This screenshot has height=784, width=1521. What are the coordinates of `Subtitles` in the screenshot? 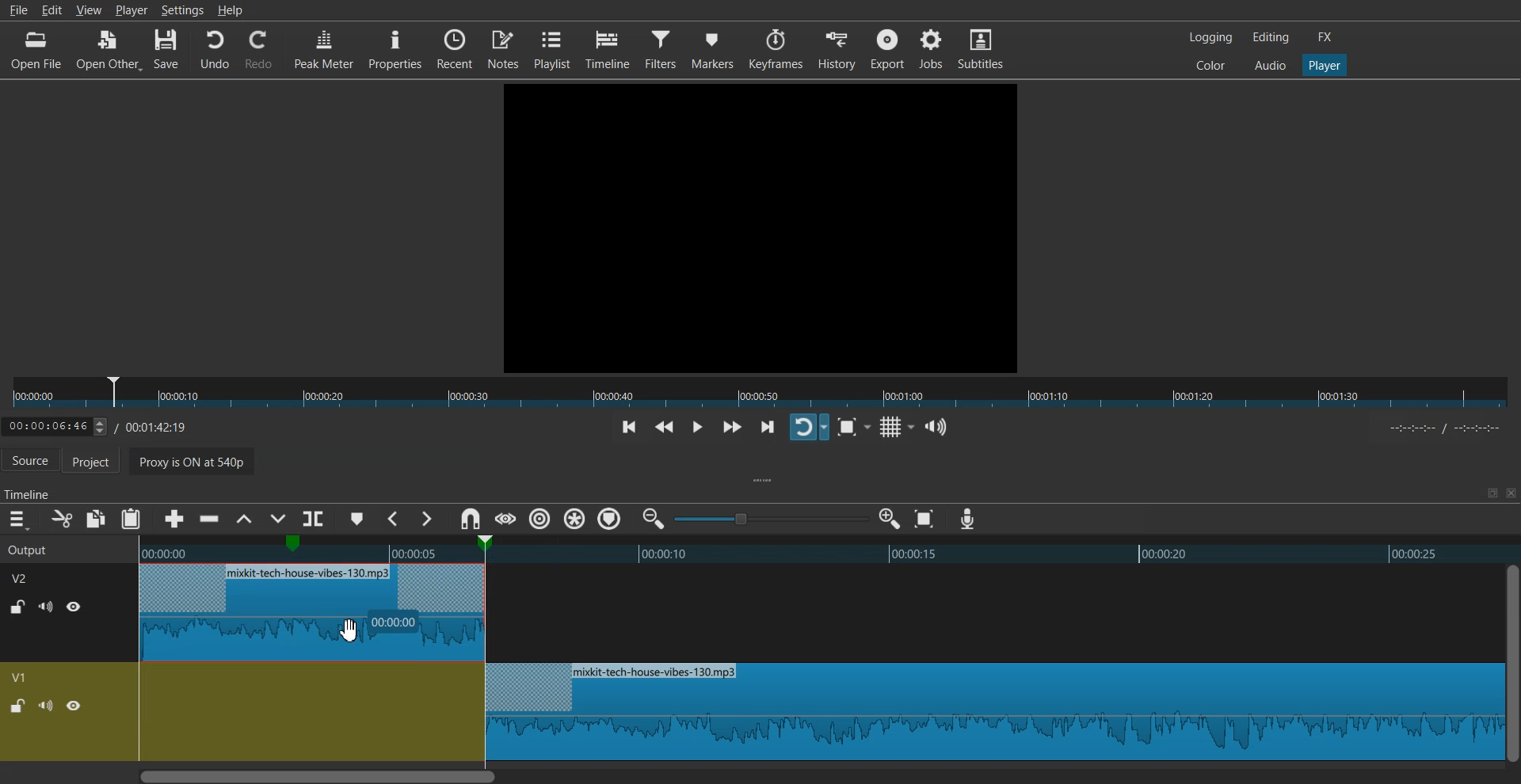 It's located at (981, 48).